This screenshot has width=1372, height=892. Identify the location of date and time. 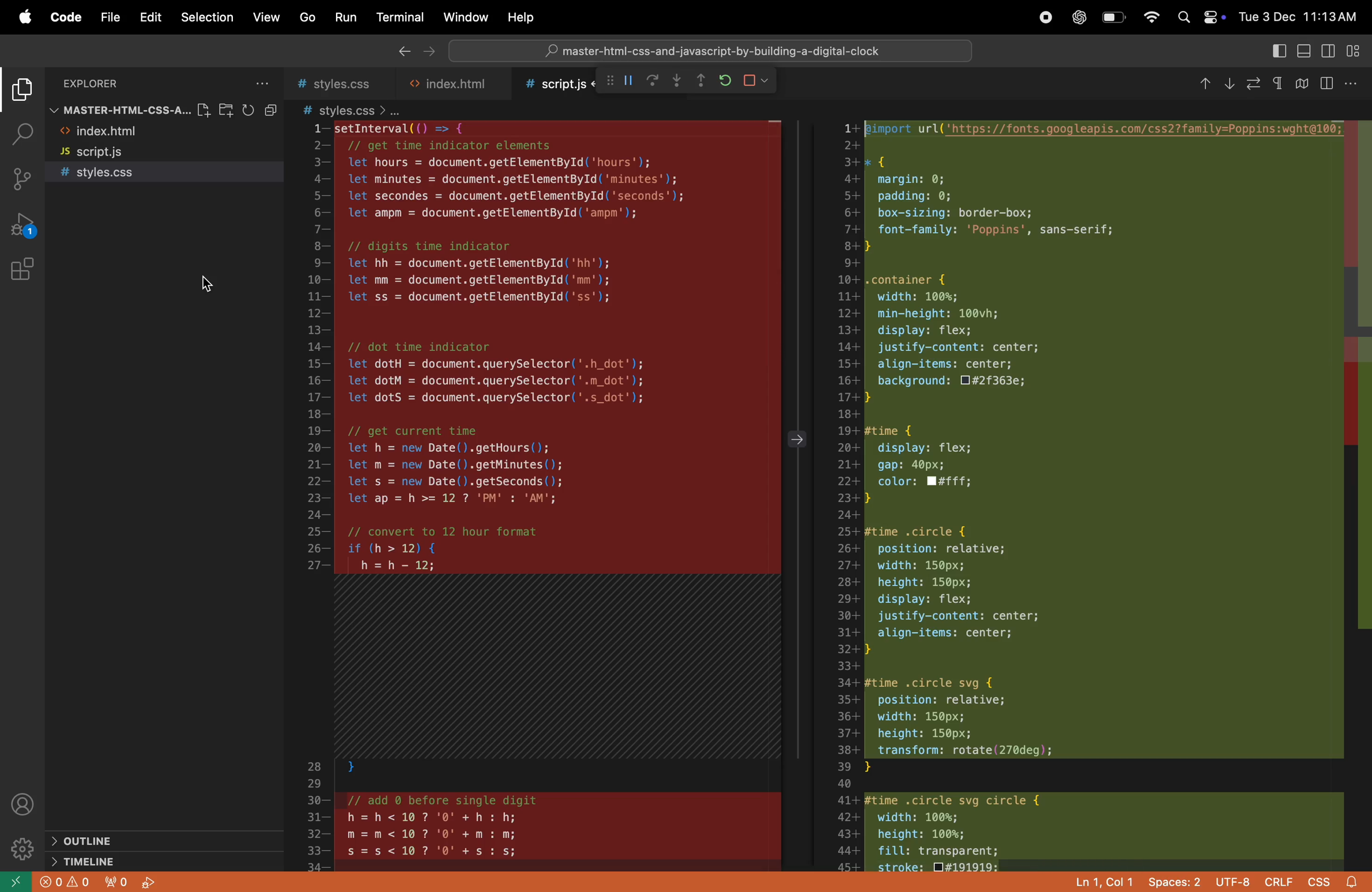
(1301, 17).